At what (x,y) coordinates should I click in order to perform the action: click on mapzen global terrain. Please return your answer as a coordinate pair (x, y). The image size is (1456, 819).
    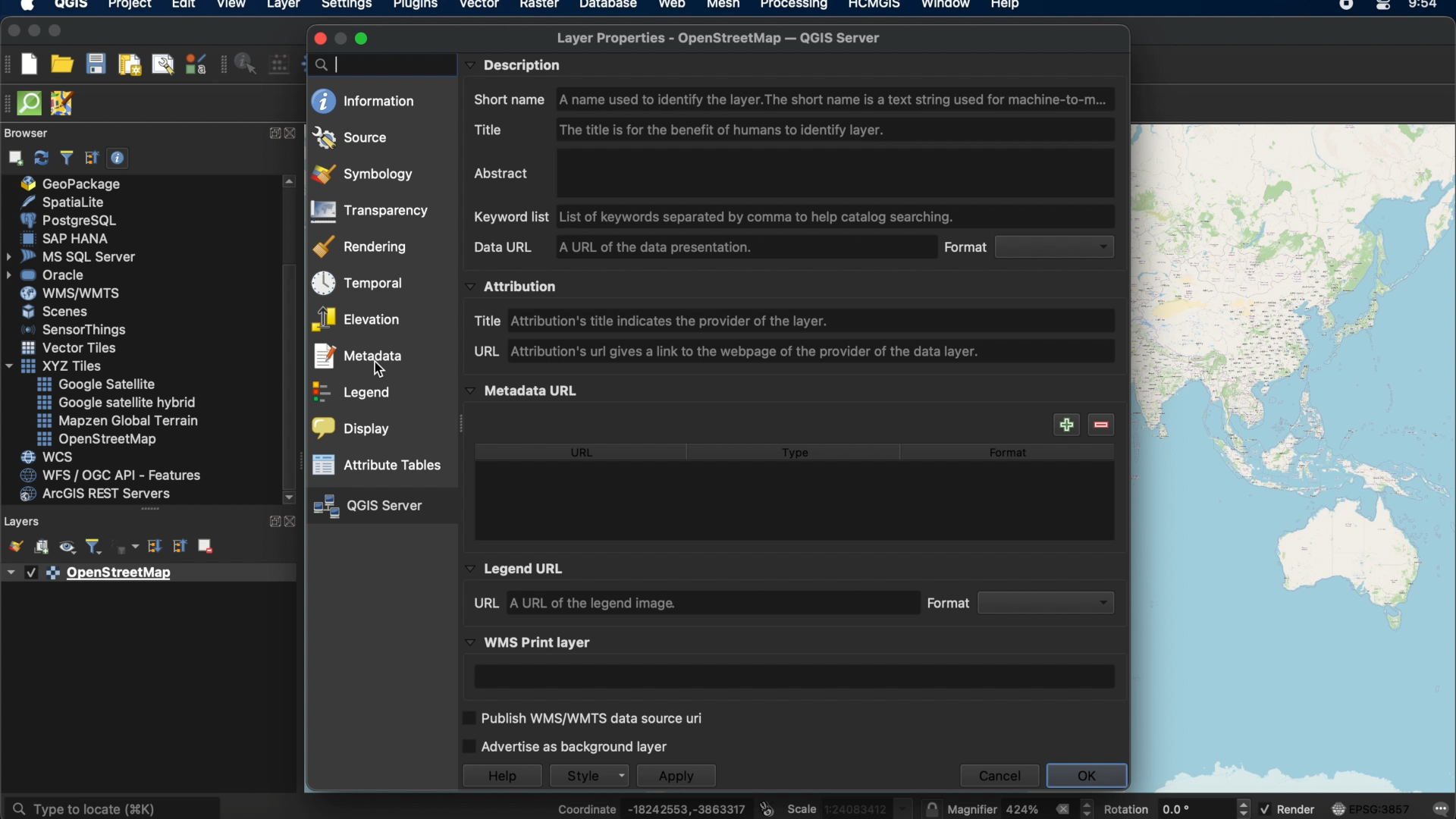
    Looking at the image, I should click on (116, 421).